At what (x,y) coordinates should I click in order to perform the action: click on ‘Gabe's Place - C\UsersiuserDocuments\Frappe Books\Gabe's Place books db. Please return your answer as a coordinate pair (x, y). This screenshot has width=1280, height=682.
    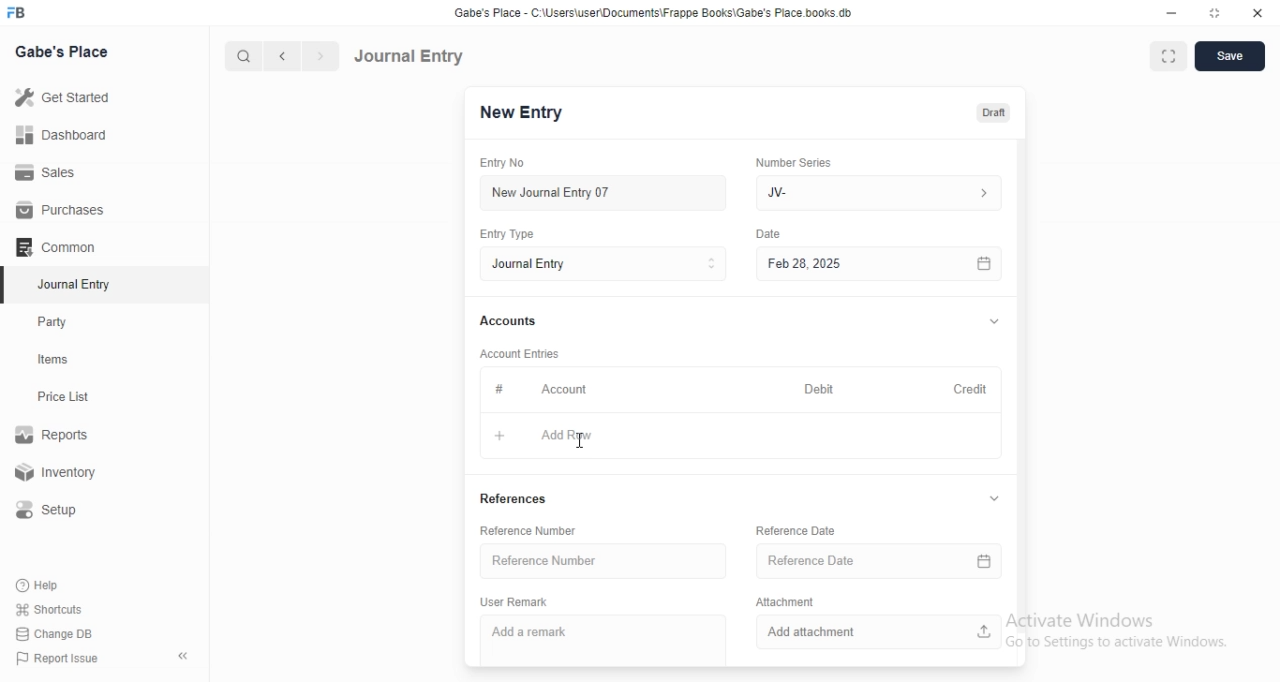
    Looking at the image, I should click on (653, 12).